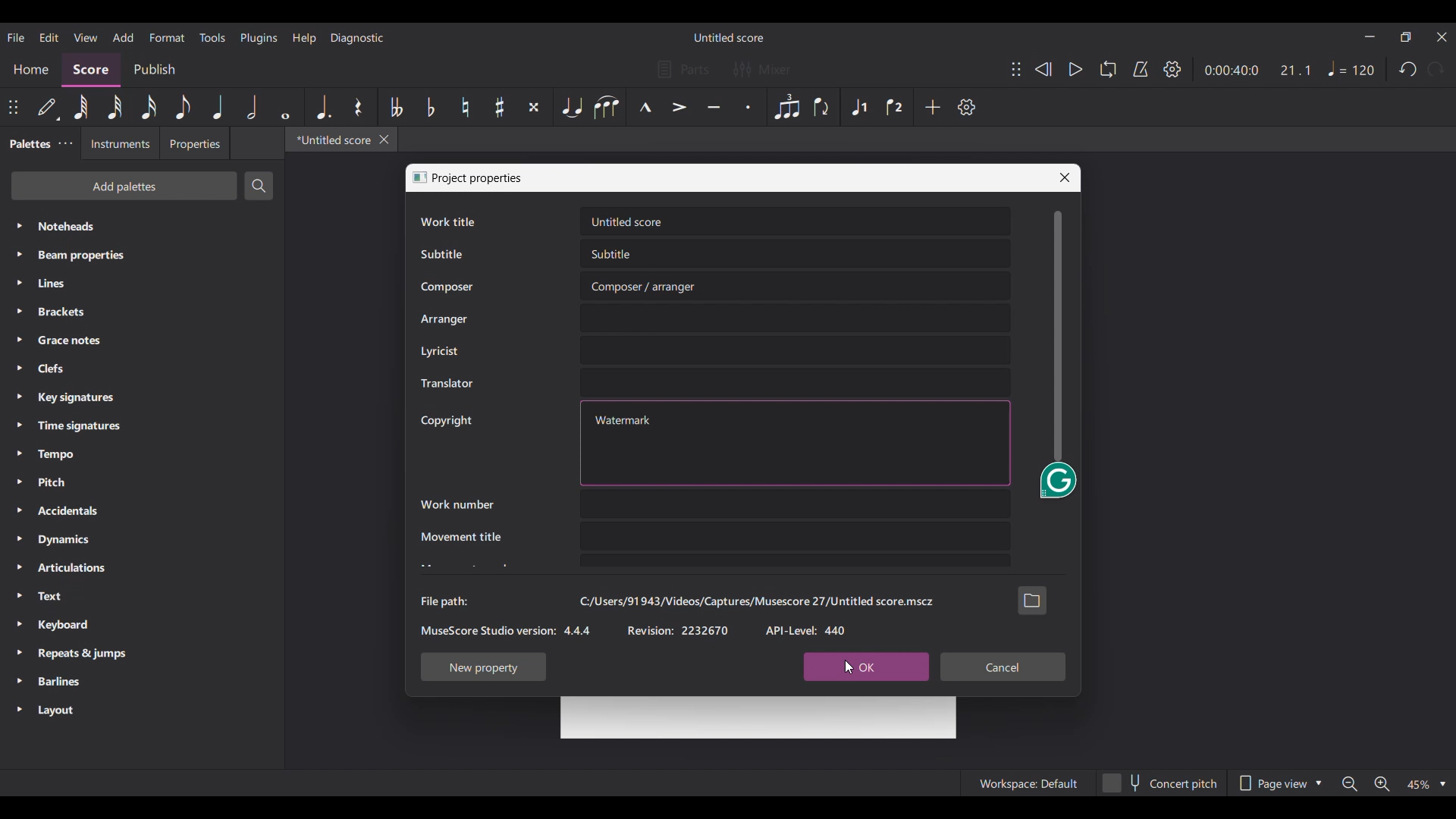 Image resolution: width=1456 pixels, height=819 pixels. I want to click on Change position, so click(1017, 69).